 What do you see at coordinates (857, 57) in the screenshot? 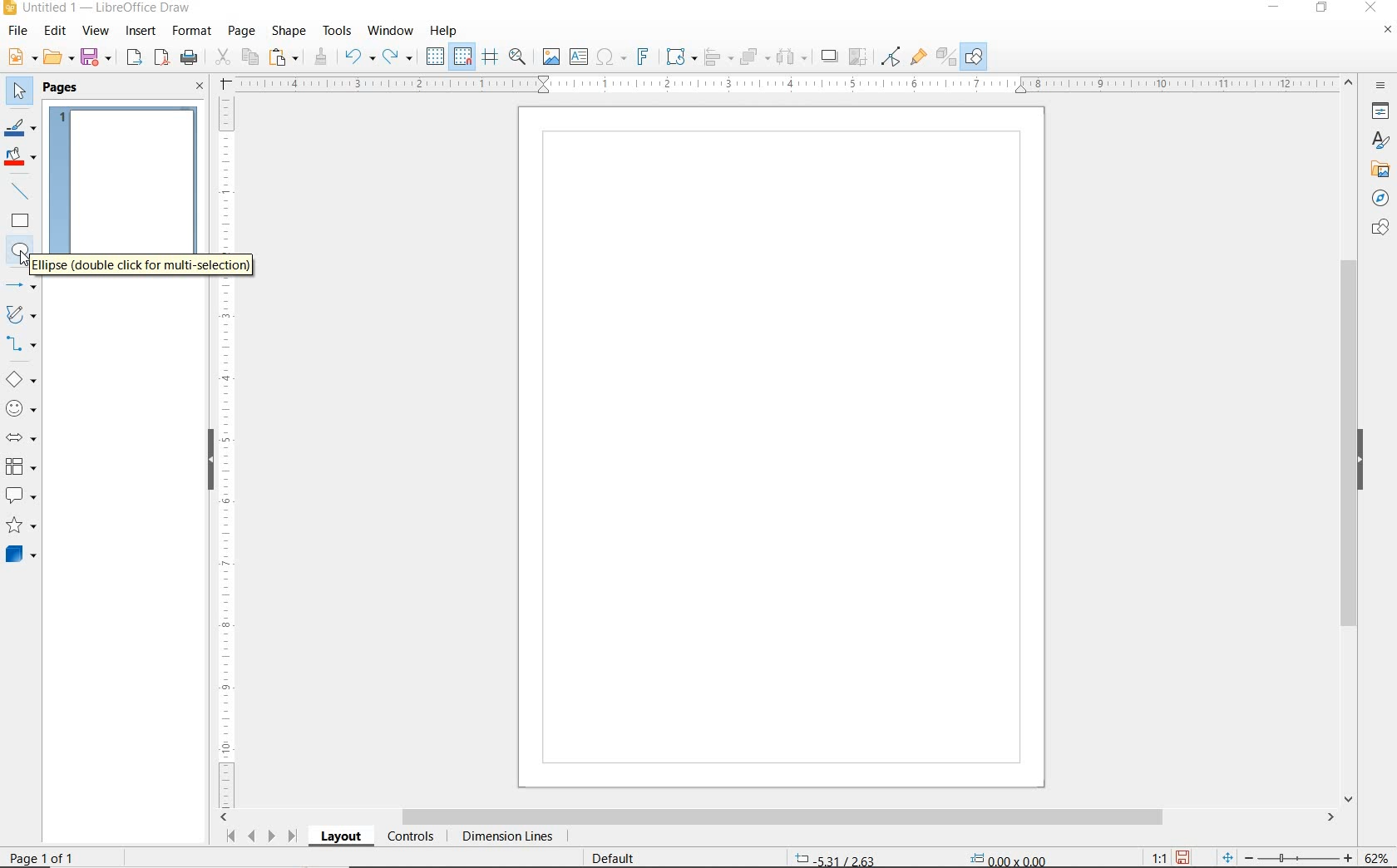
I see `CROP IMAGE` at bounding box center [857, 57].